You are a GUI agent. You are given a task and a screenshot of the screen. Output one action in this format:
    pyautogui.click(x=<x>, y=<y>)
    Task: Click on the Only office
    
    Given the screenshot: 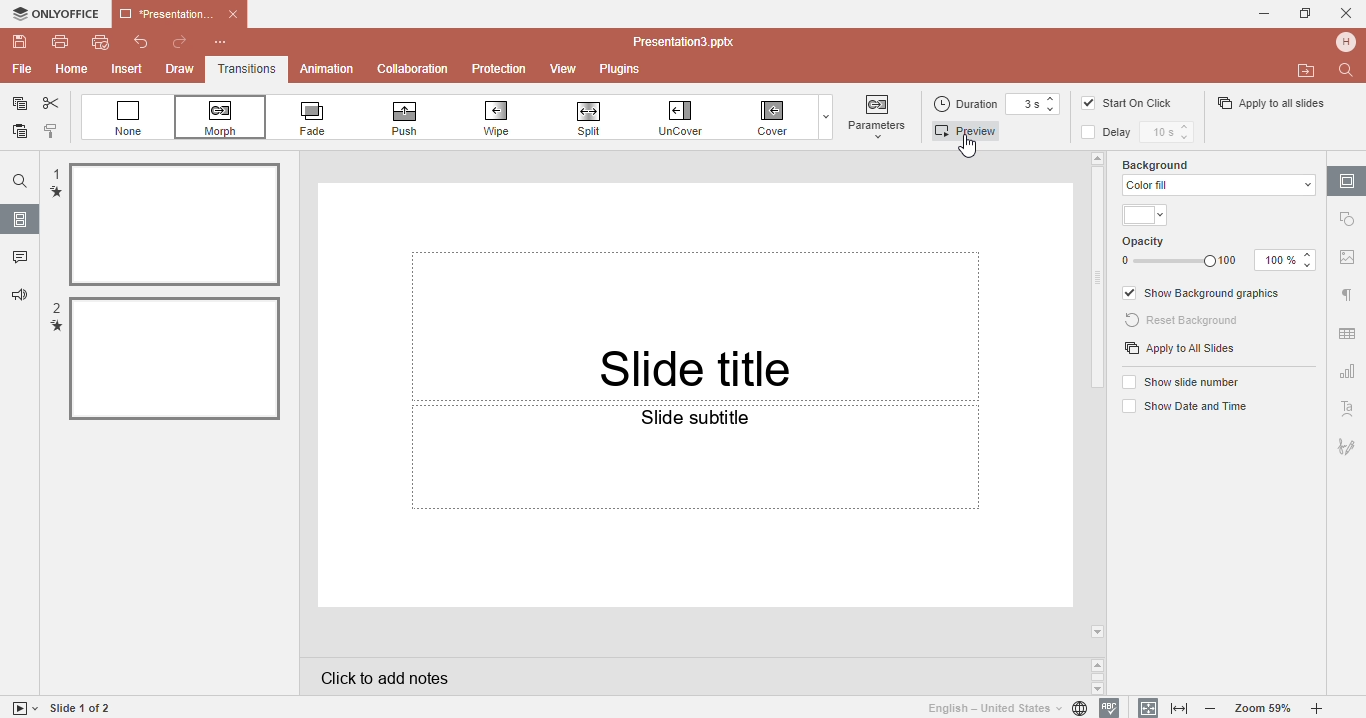 What is the action you would take?
    pyautogui.click(x=54, y=14)
    